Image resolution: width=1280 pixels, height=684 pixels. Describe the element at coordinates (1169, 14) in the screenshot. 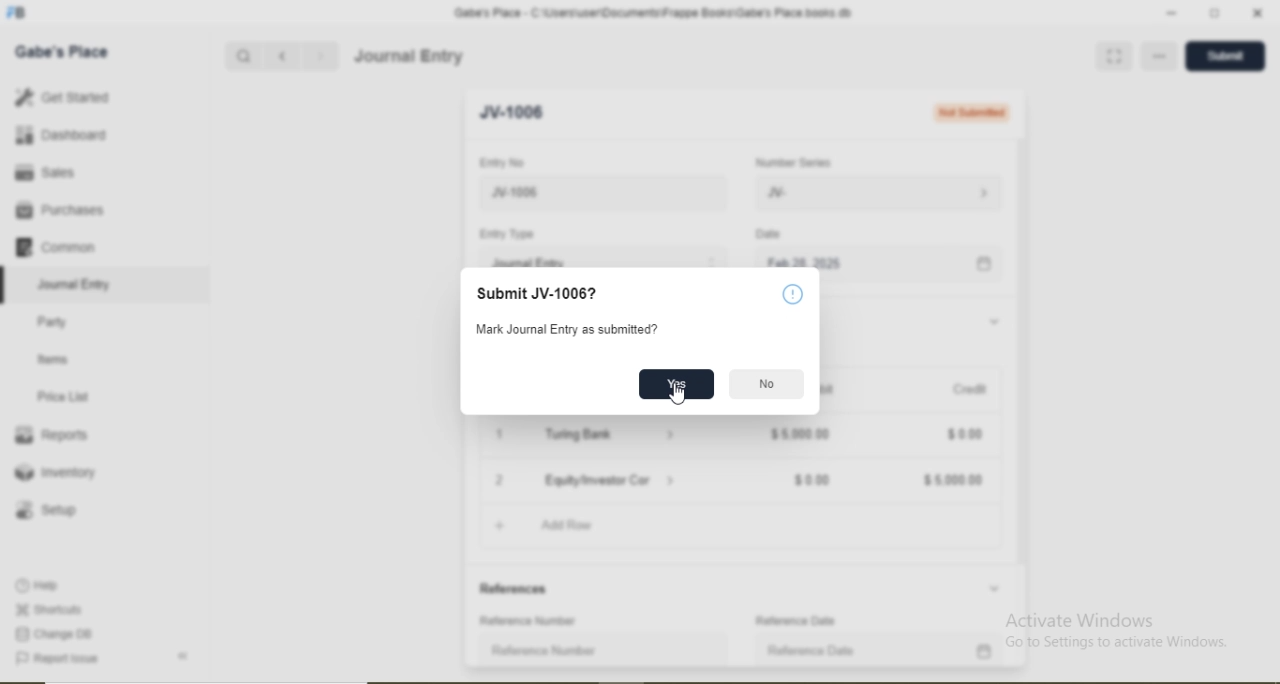

I see `minimize` at that location.